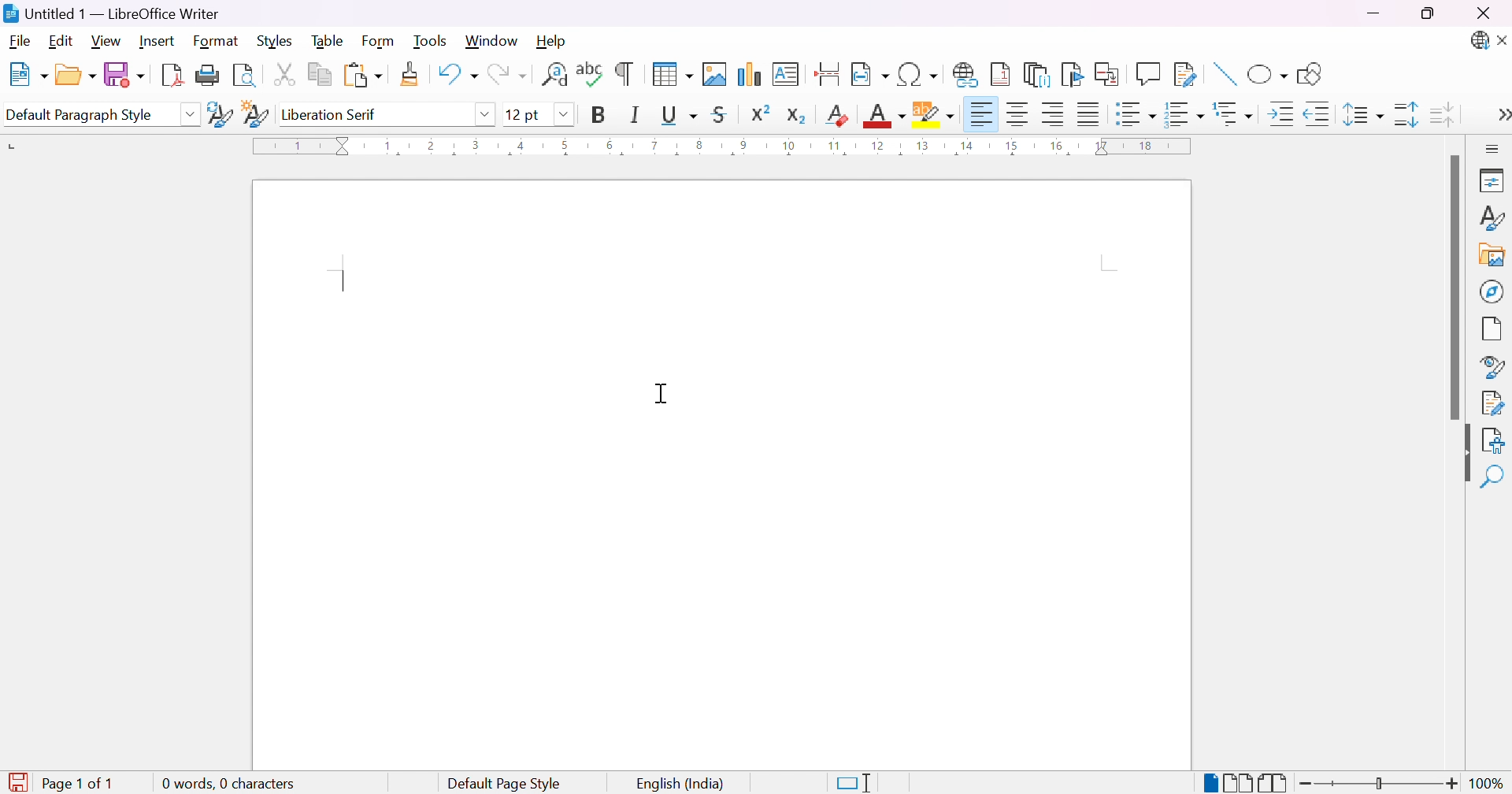 The height and width of the screenshot is (794, 1512). What do you see at coordinates (122, 73) in the screenshot?
I see `Save` at bounding box center [122, 73].